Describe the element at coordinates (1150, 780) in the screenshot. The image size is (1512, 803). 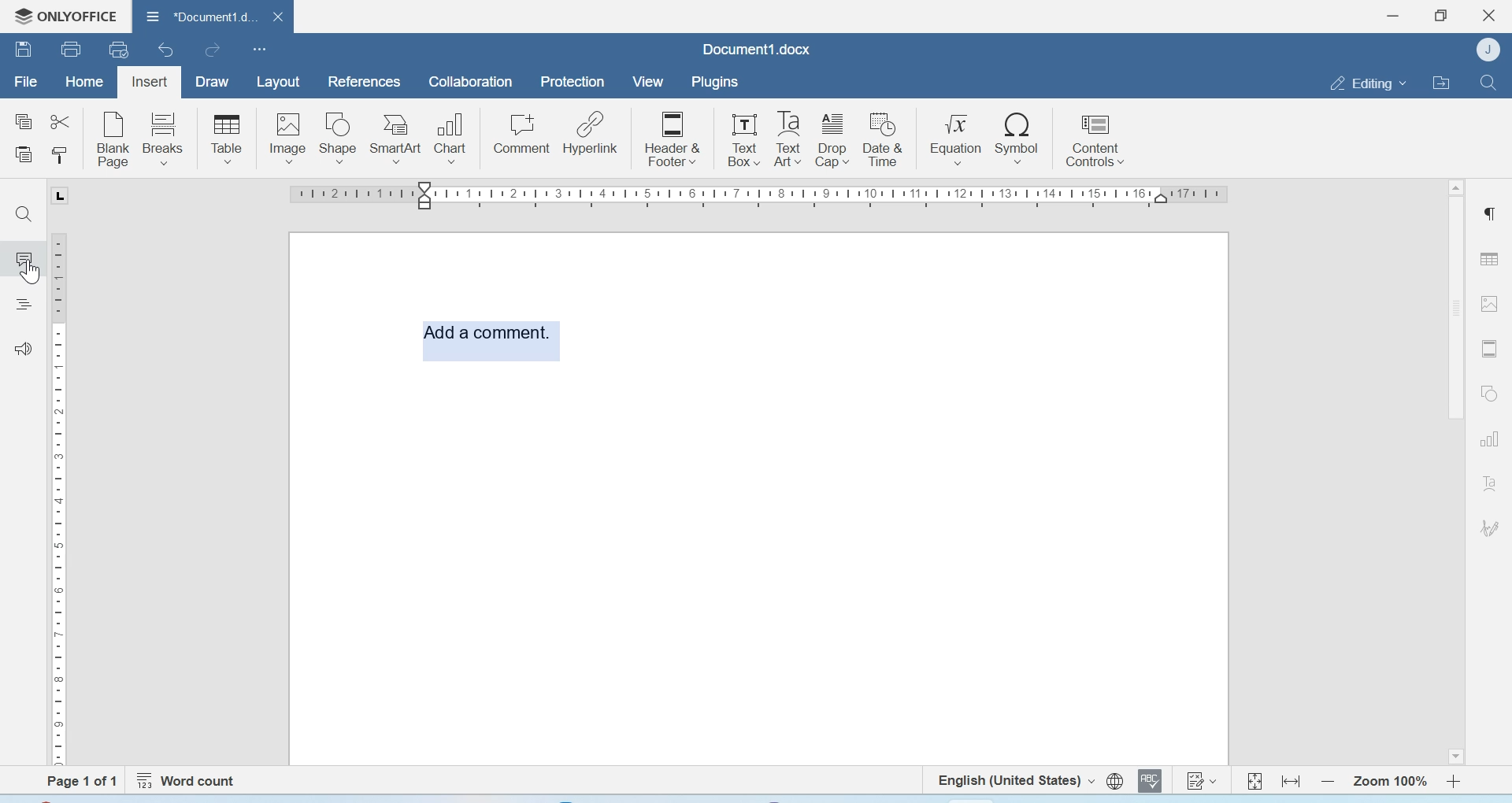
I see `Spell checking` at that location.